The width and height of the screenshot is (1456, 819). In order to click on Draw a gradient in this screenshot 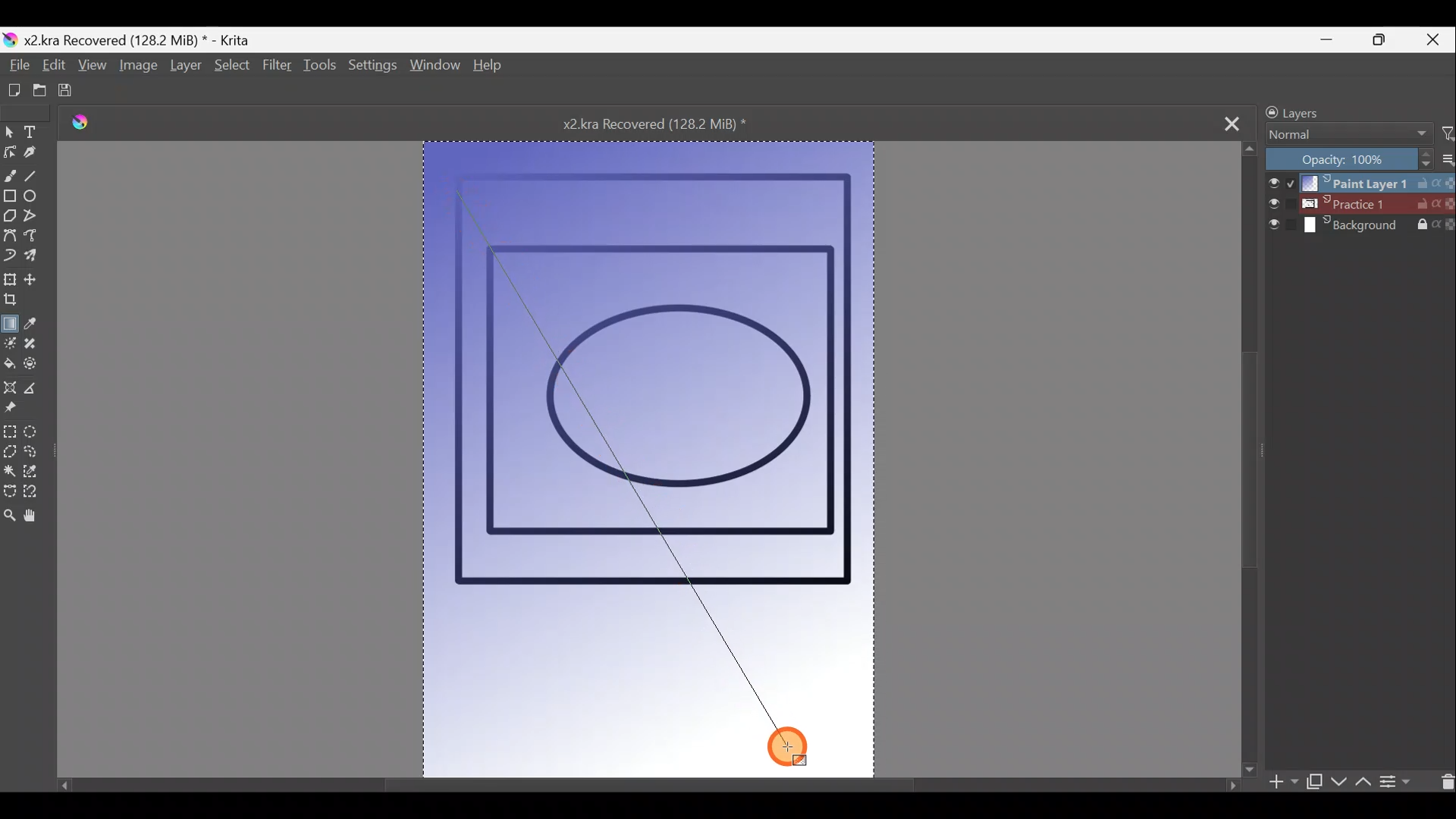, I will do `click(11, 321)`.